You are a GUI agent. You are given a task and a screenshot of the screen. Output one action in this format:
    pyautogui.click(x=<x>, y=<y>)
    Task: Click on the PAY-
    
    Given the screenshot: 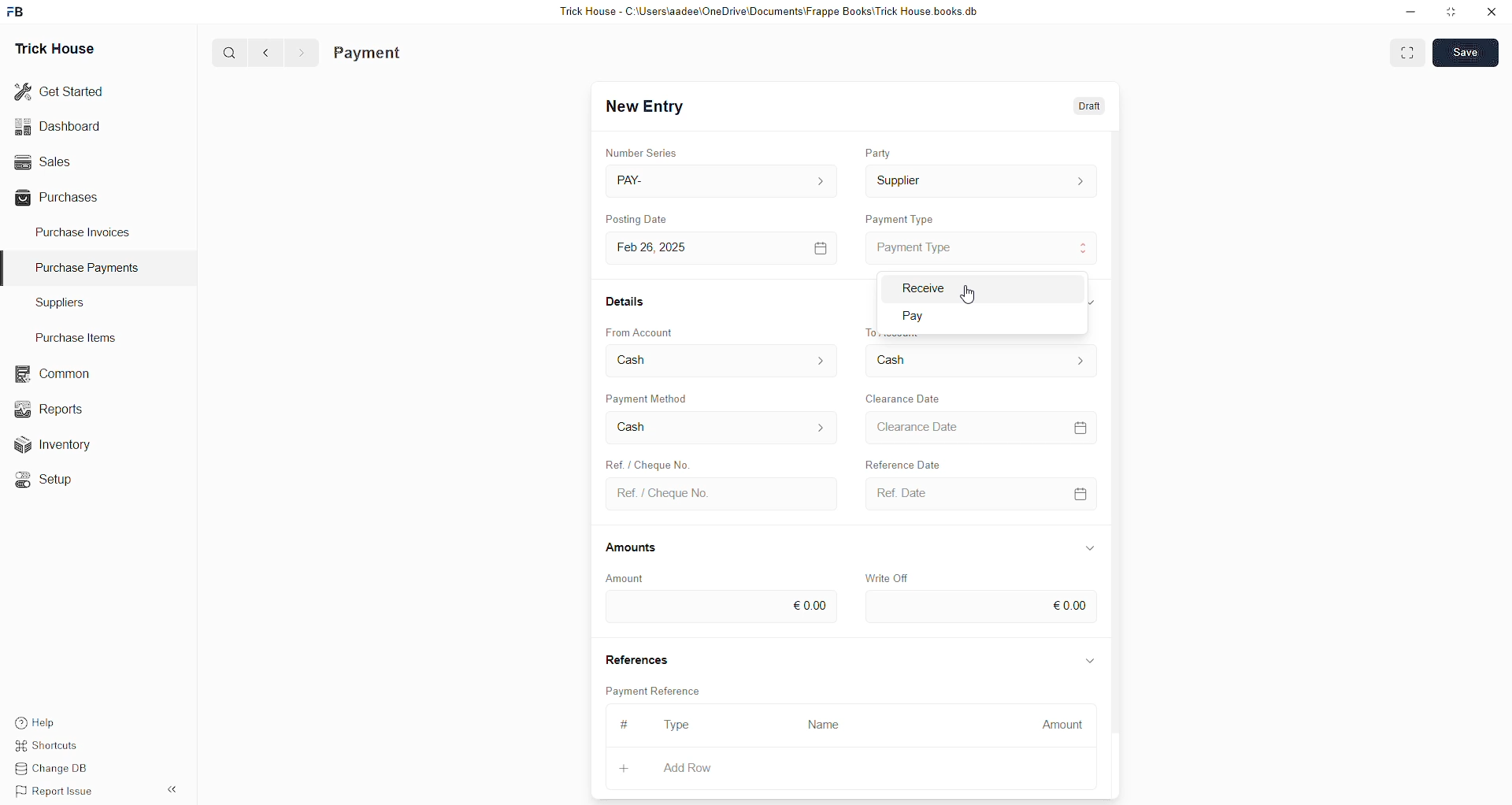 What is the action you would take?
    pyautogui.click(x=720, y=179)
    